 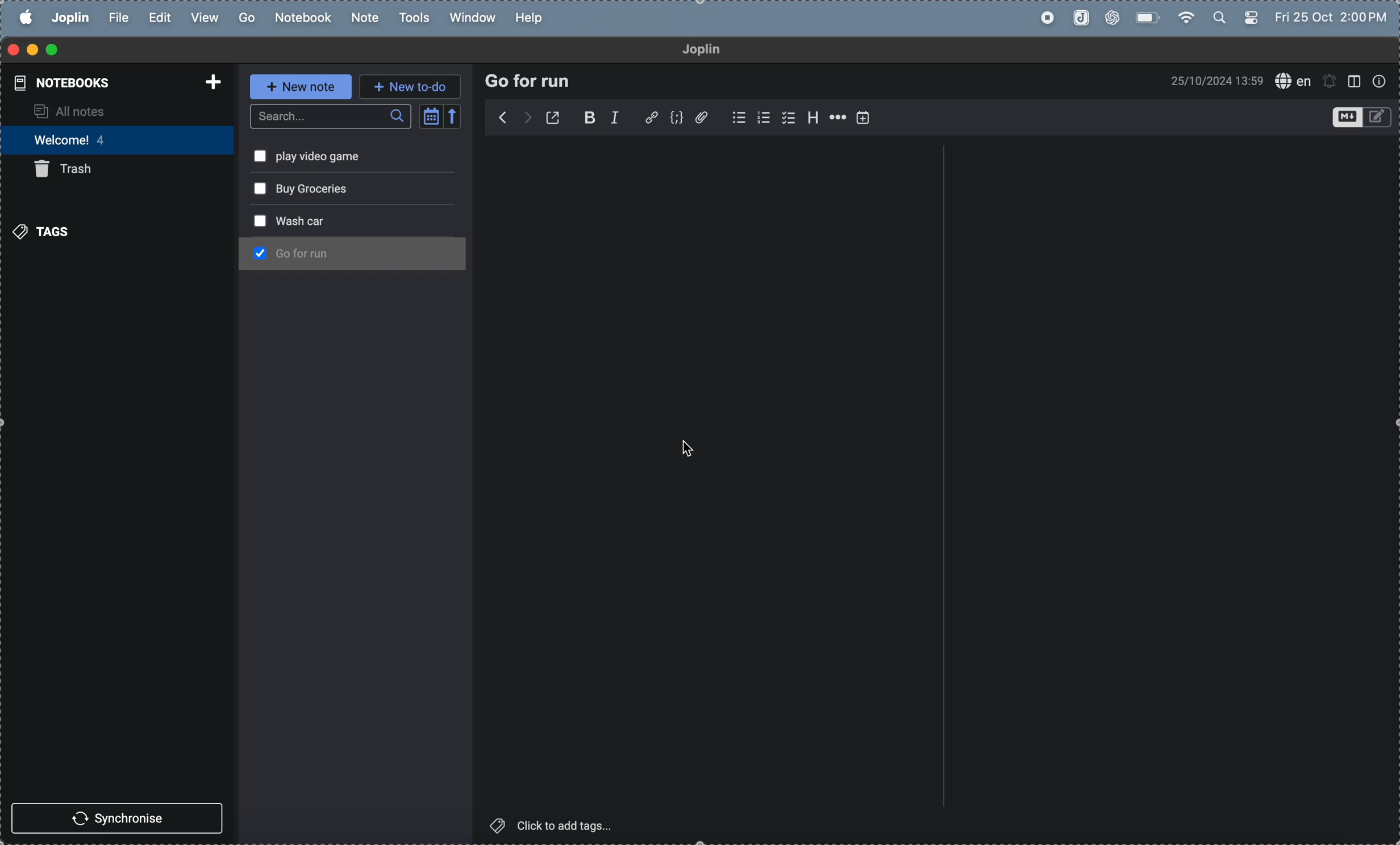 What do you see at coordinates (732, 117) in the screenshot?
I see `check box` at bounding box center [732, 117].